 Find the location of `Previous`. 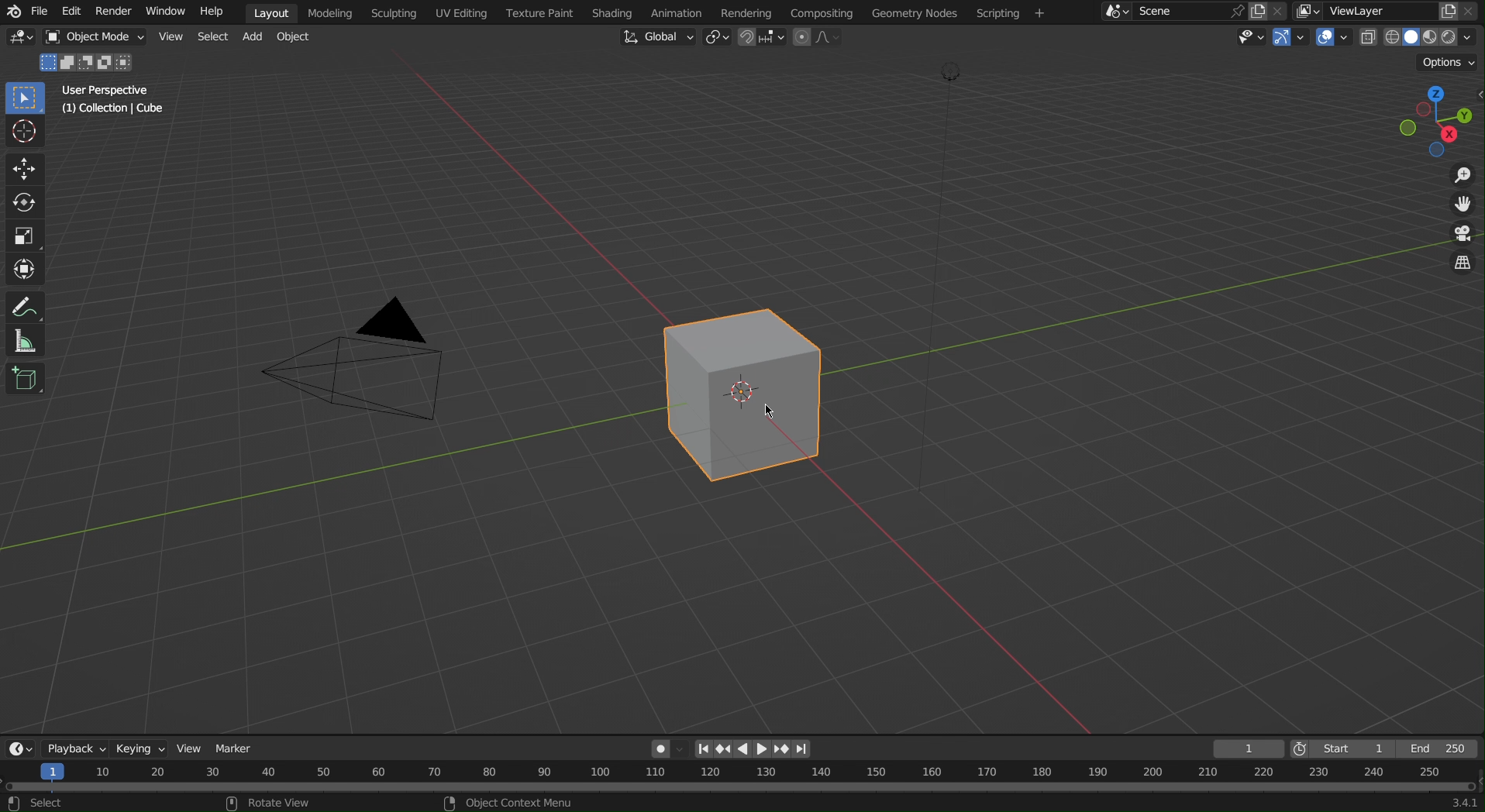

Previous is located at coordinates (722, 749).